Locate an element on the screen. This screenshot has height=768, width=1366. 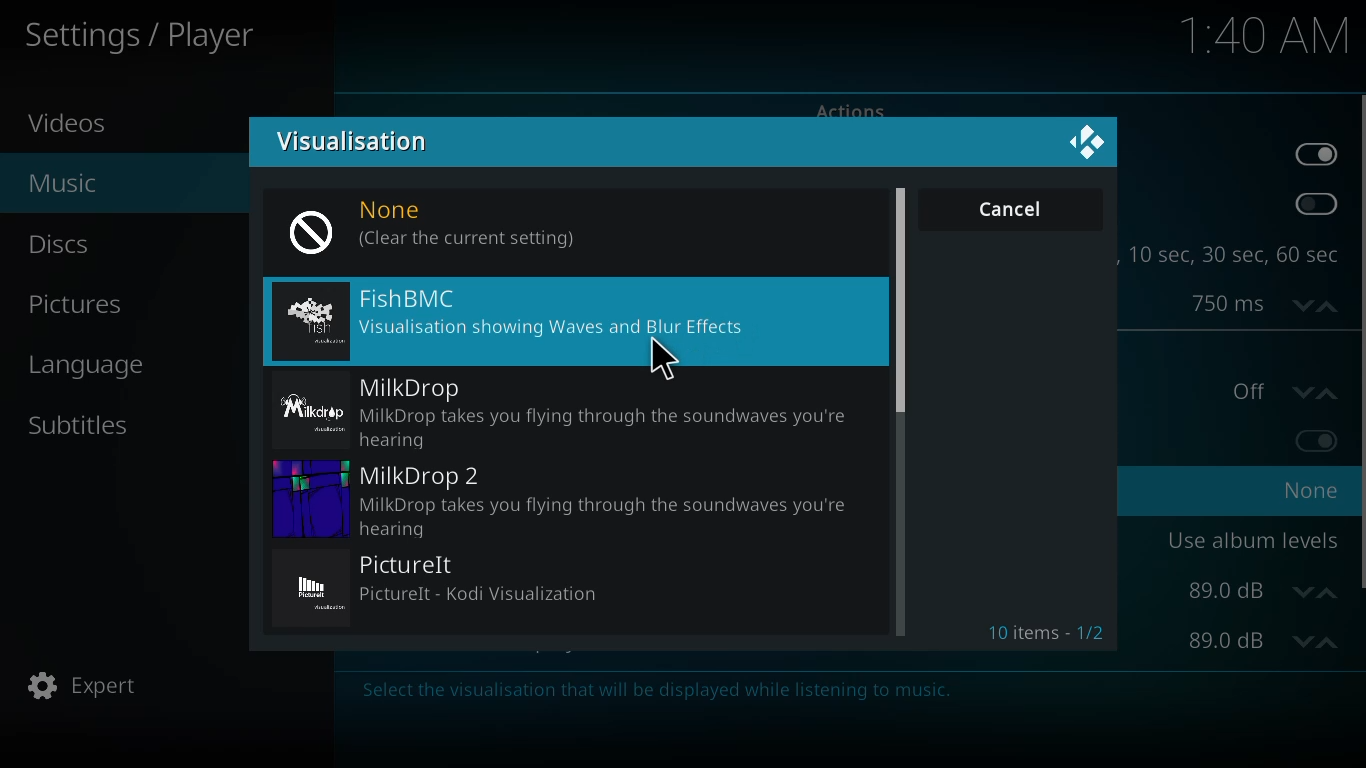
language is located at coordinates (95, 365).